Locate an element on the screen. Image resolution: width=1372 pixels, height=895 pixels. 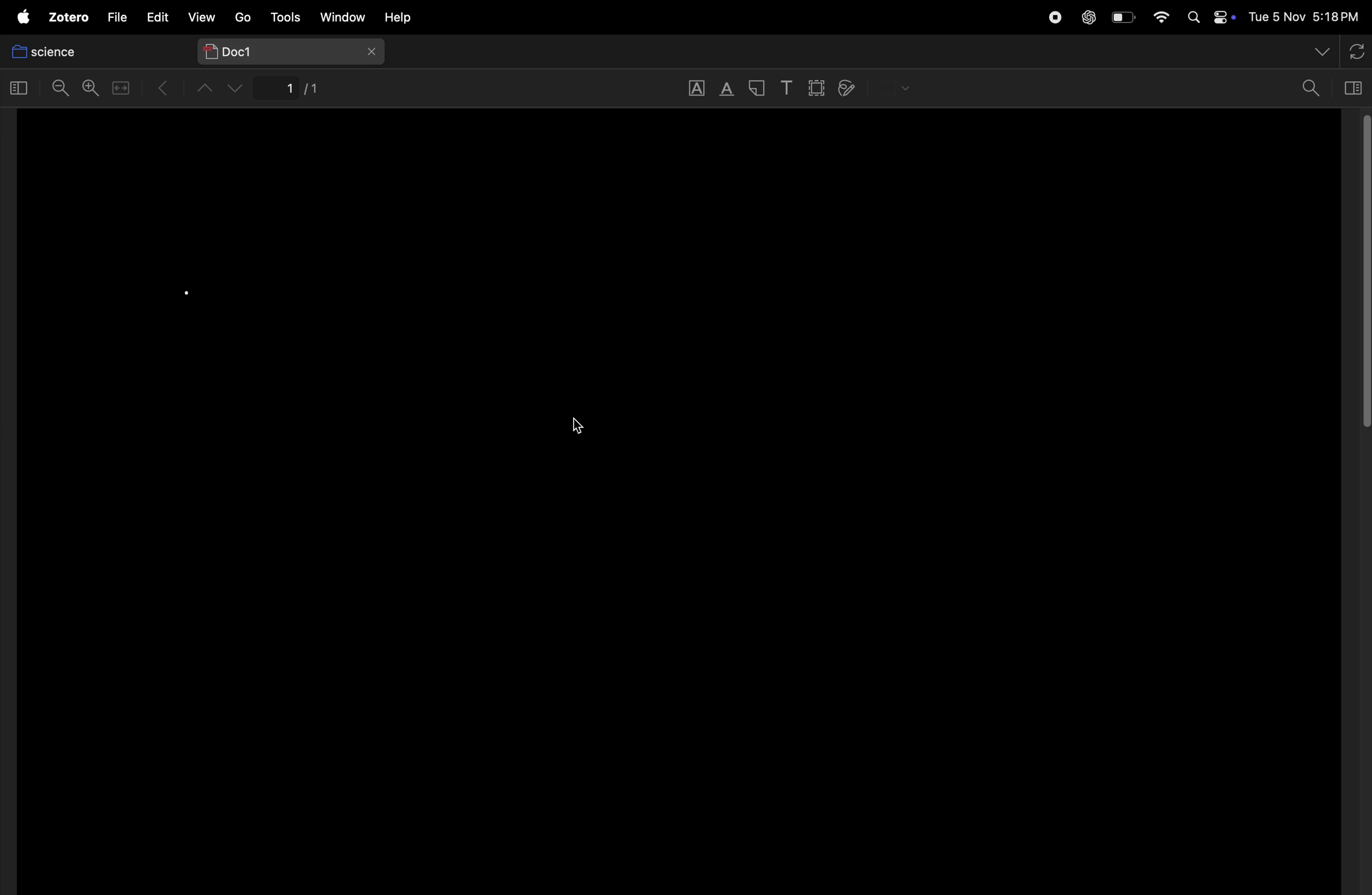
window is located at coordinates (21, 89).